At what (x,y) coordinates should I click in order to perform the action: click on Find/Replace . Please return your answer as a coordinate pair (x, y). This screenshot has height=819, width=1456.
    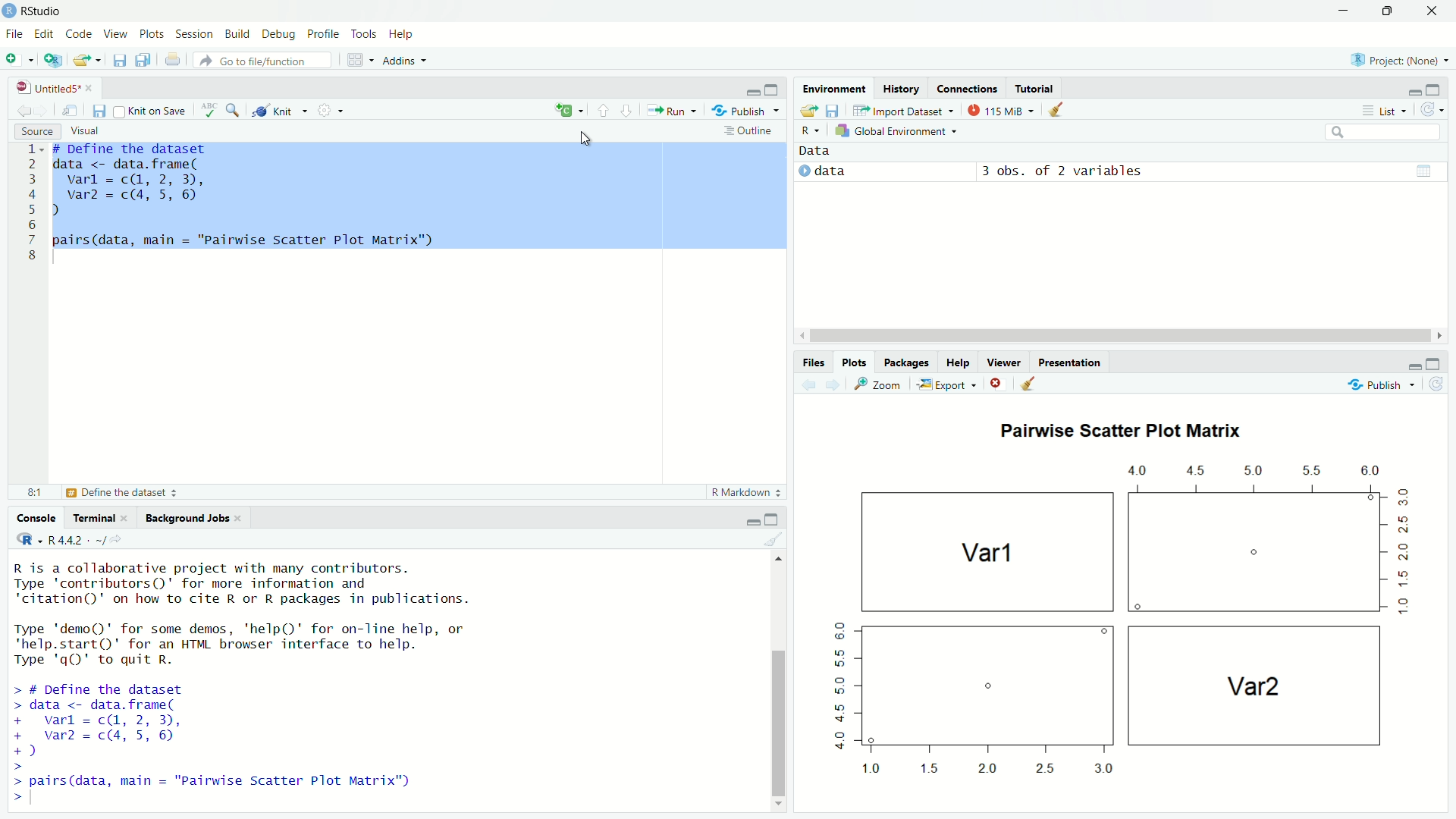
    Looking at the image, I should click on (233, 109).